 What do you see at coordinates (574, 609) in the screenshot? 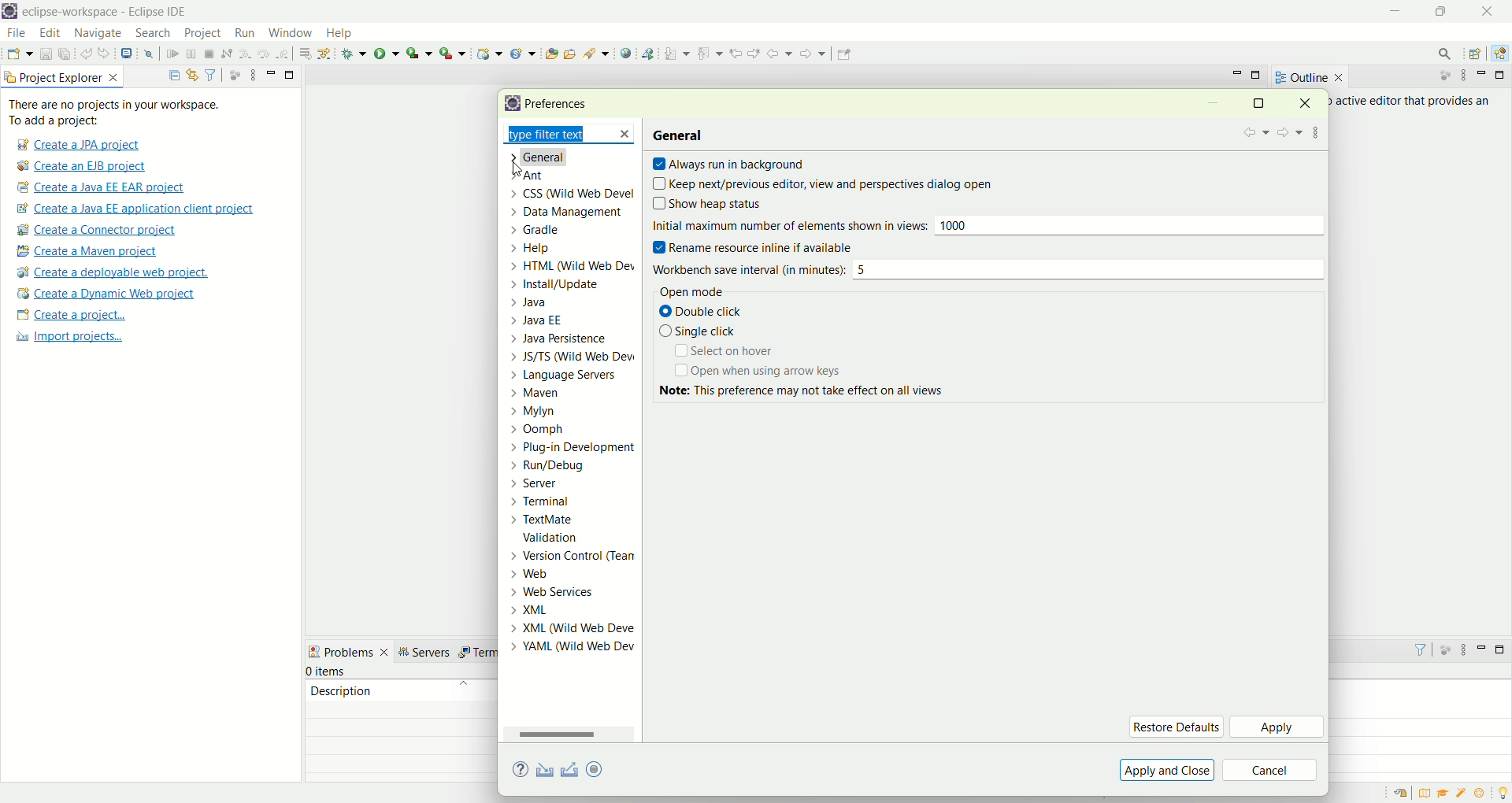
I see `XML` at bounding box center [574, 609].